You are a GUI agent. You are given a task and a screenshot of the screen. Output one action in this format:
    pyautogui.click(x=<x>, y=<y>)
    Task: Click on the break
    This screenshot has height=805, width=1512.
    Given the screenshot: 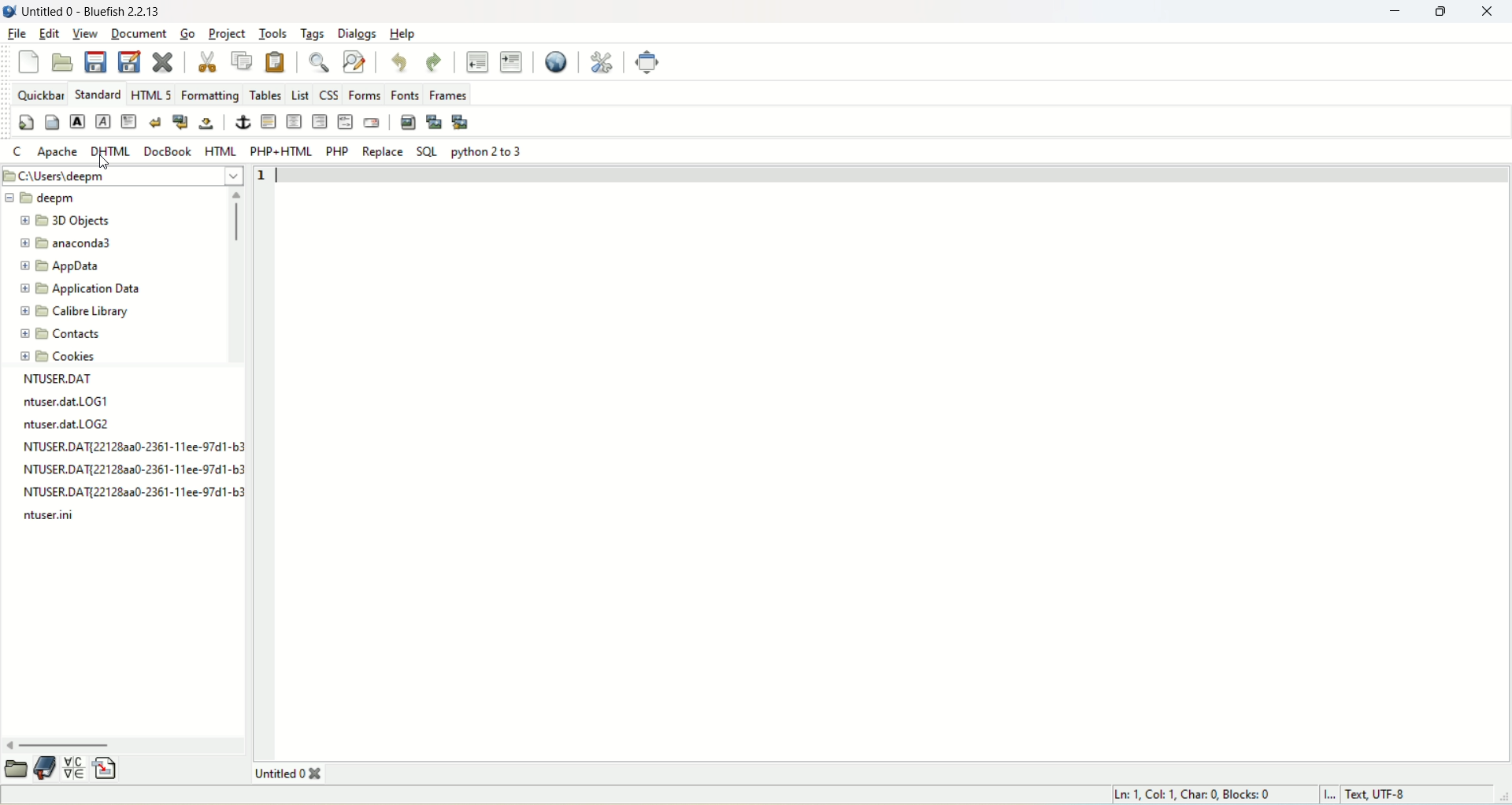 What is the action you would take?
    pyautogui.click(x=154, y=121)
    